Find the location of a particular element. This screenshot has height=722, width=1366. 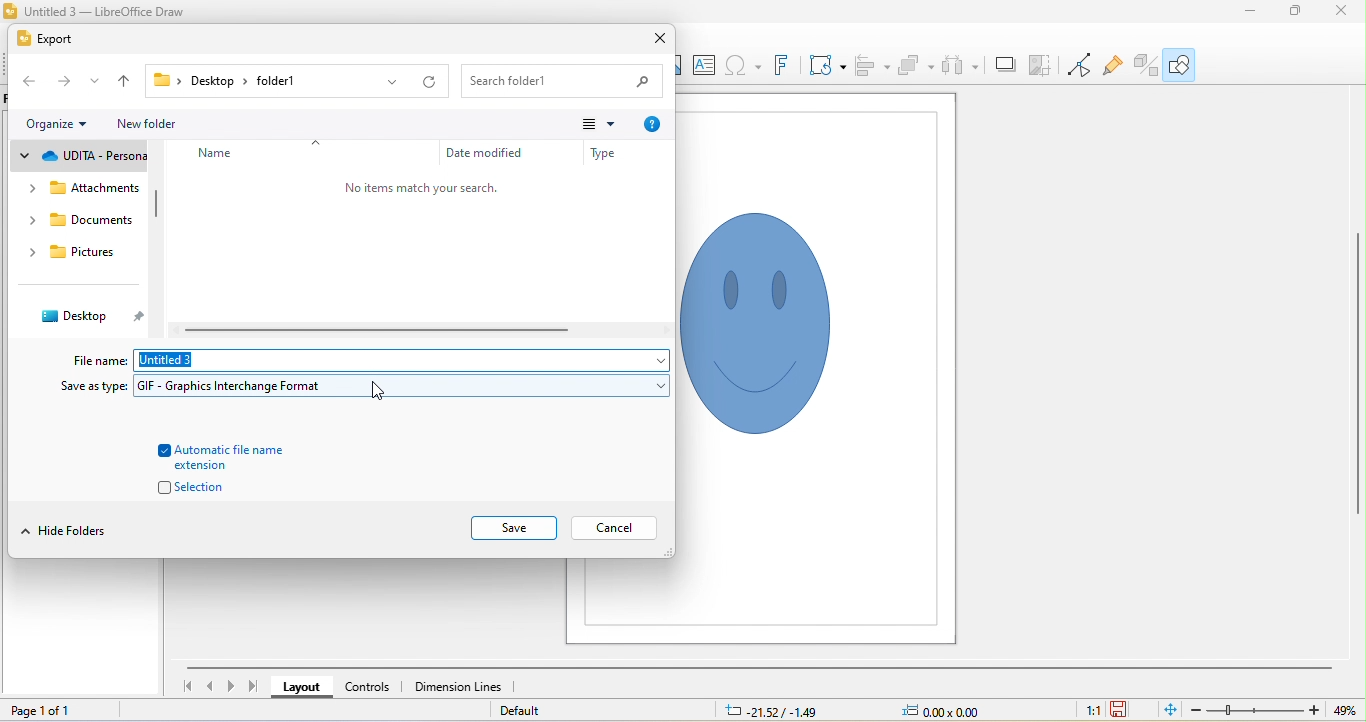

arrange is located at coordinates (914, 66).